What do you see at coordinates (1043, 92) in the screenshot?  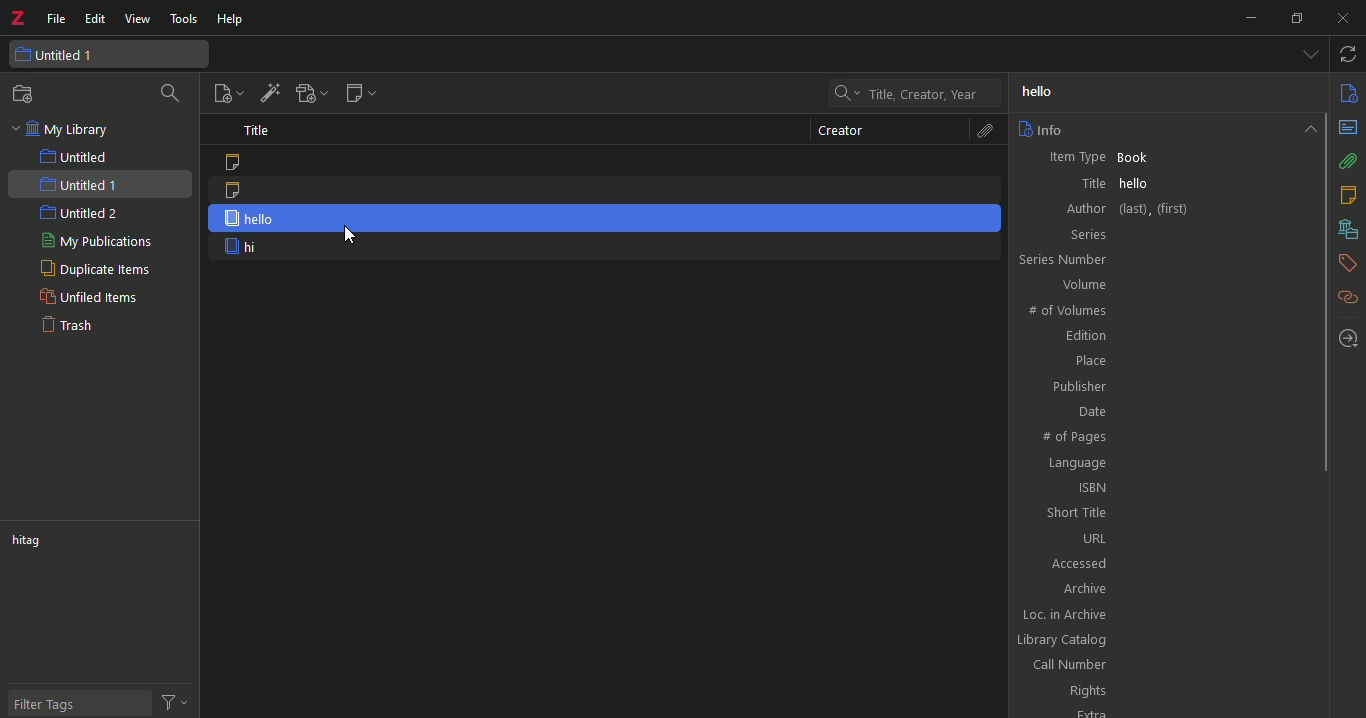 I see `hello` at bounding box center [1043, 92].